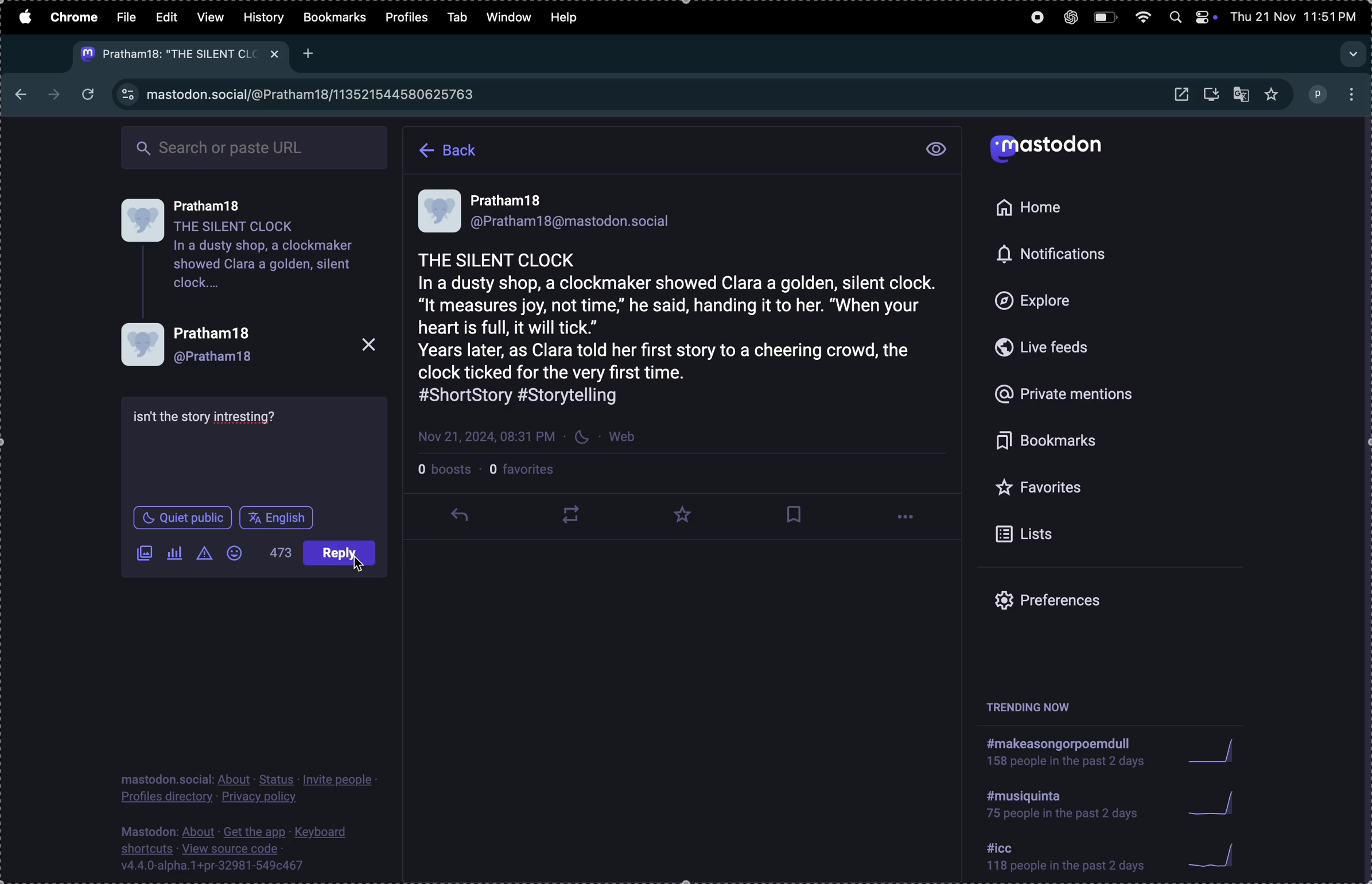 This screenshot has height=884, width=1372. Describe the element at coordinates (528, 474) in the screenshot. I see `favourites` at that location.